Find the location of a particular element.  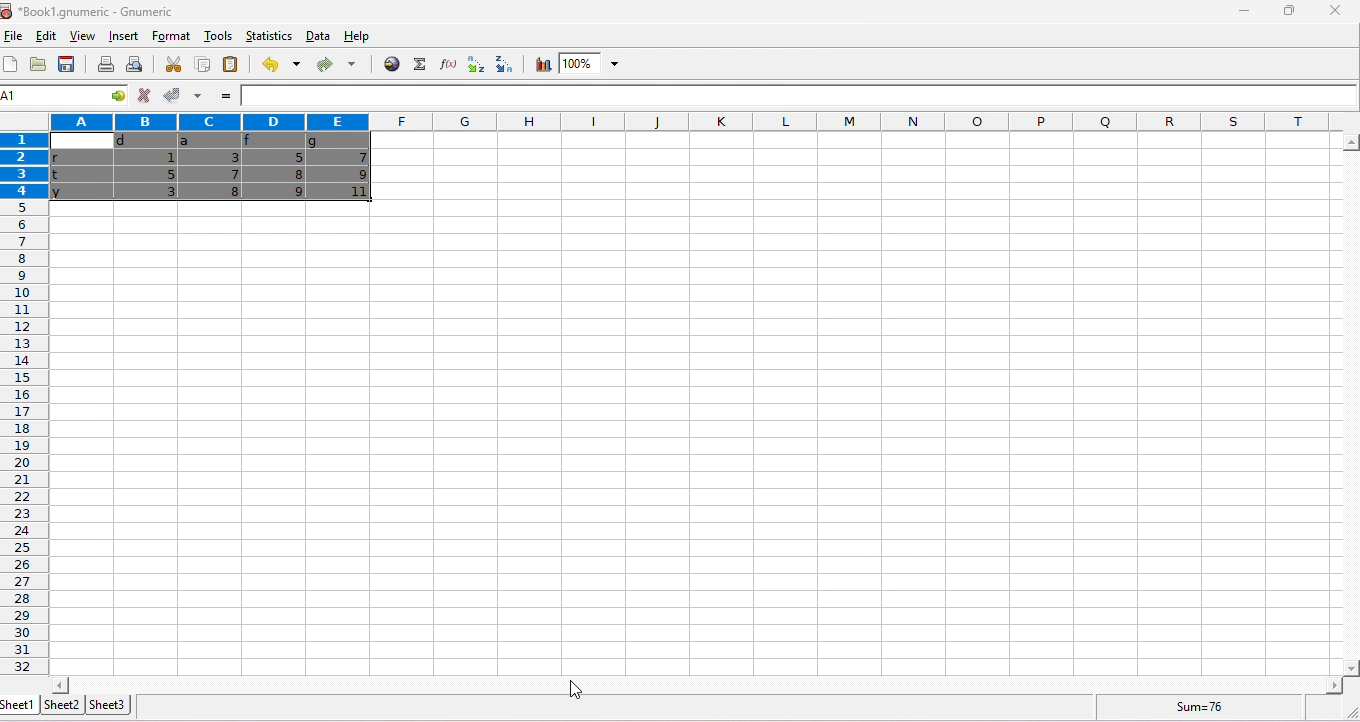

copy is located at coordinates (201, 64).